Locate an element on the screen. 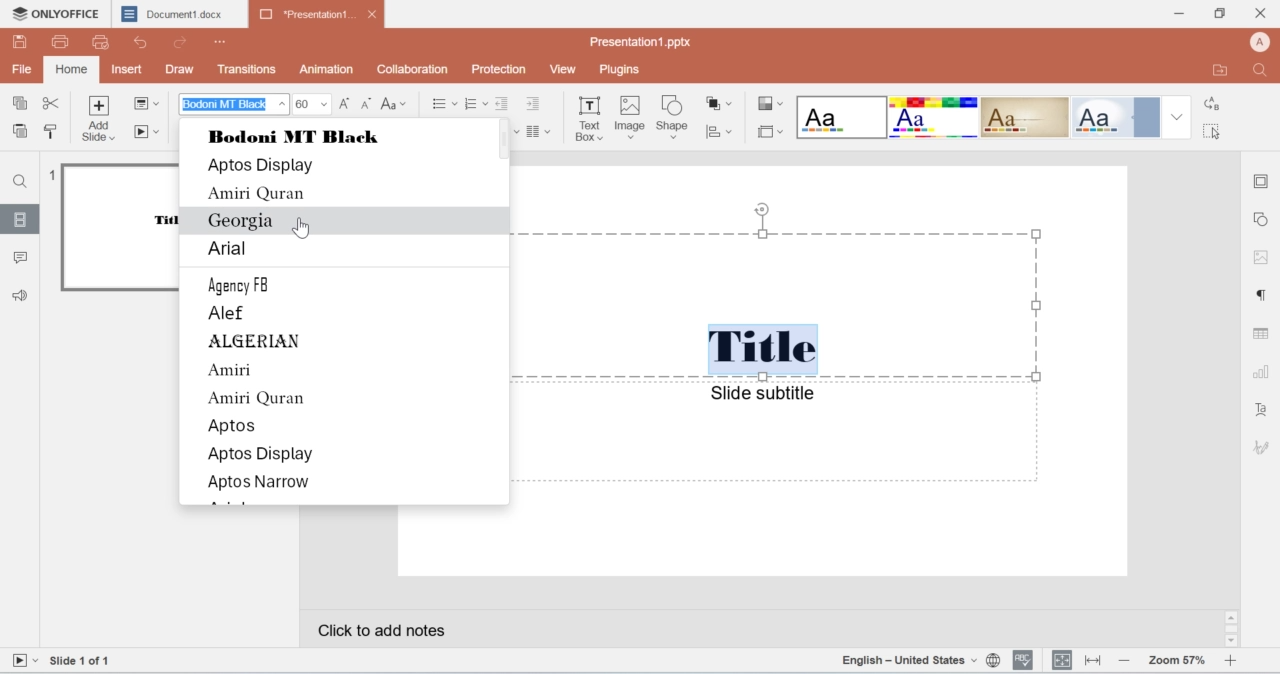 This screenshot has width=1280, height=674. a to b is located at coordinates (1210, 105).